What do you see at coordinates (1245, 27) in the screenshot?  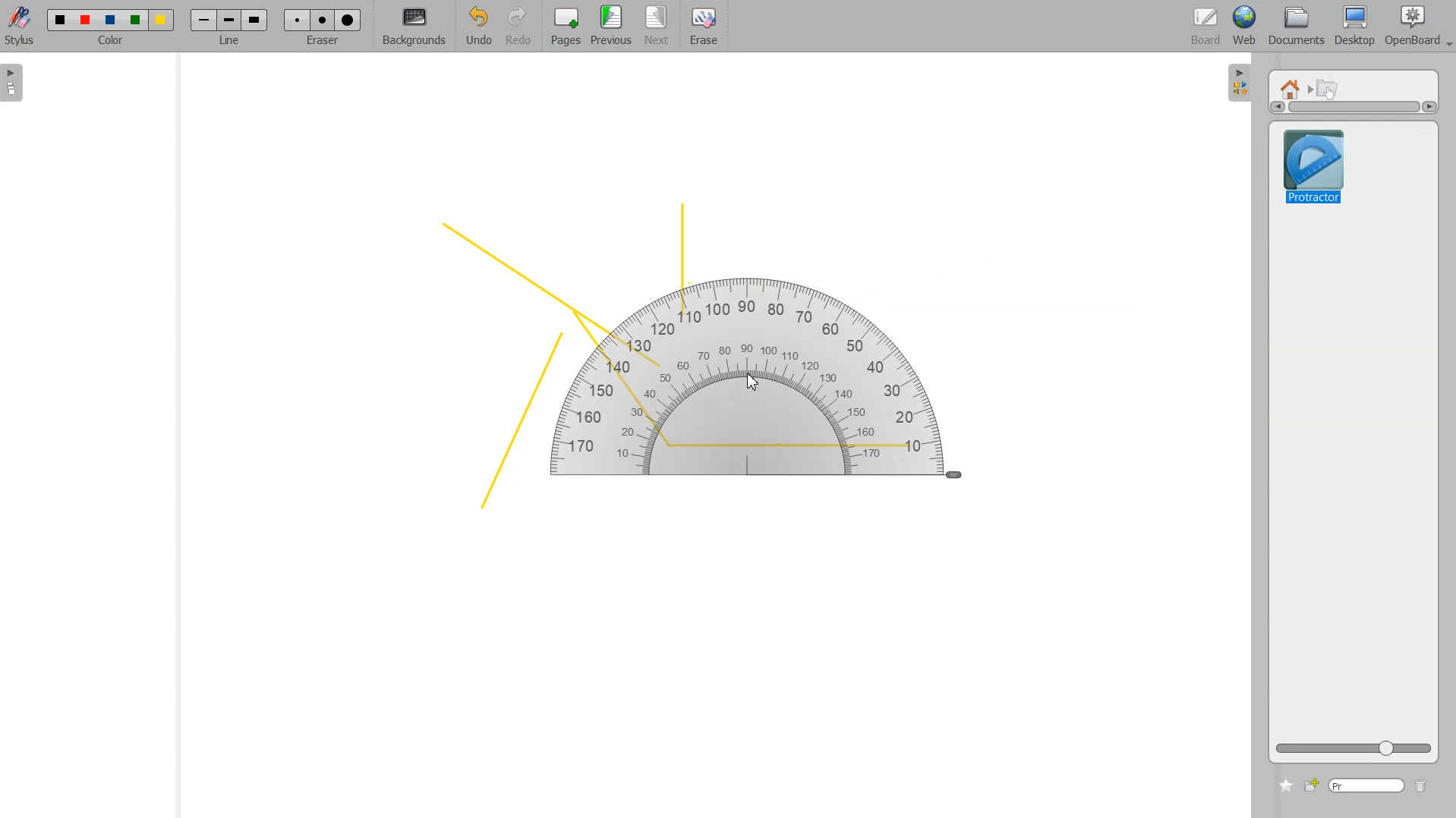 I see `Web` at bounding box center [1245, 27].